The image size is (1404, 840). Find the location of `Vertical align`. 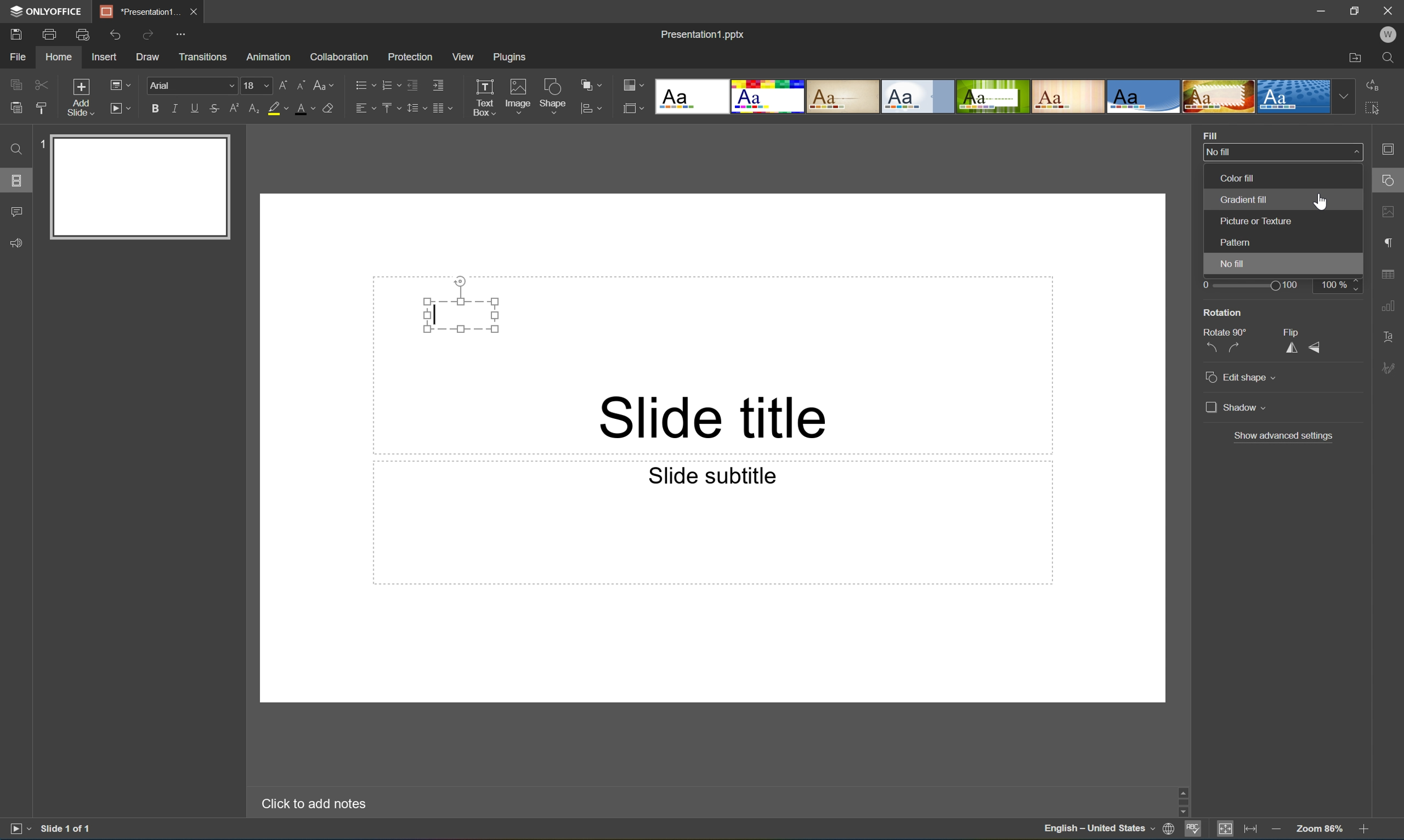

Vertical align is located at coordinates (389, 108).